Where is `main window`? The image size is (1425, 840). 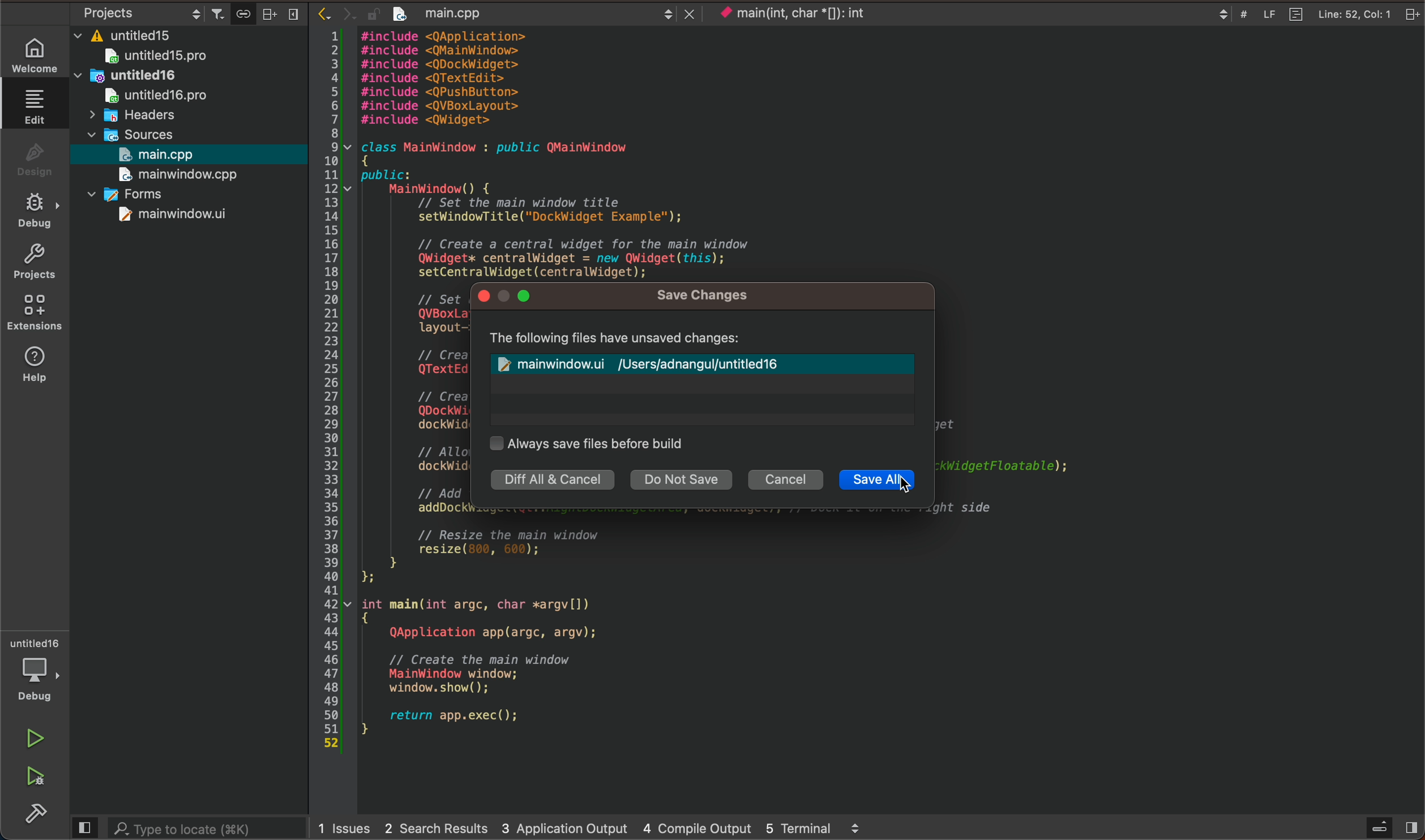
main window is located at coordinates (186, 174).